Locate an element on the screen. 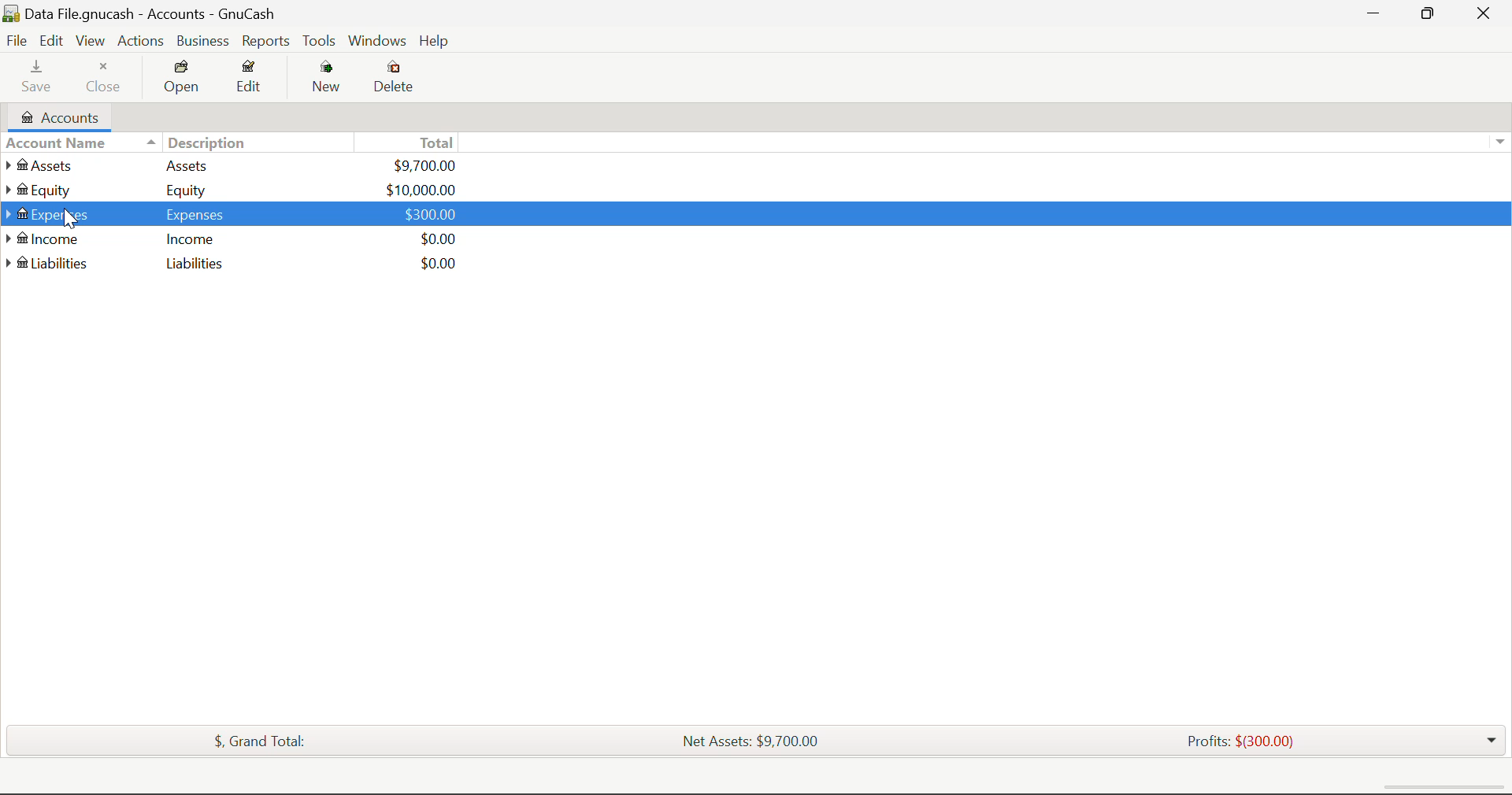 The width and height of the screenshot is (1512, 795). New is located at coordinates (328, 80).